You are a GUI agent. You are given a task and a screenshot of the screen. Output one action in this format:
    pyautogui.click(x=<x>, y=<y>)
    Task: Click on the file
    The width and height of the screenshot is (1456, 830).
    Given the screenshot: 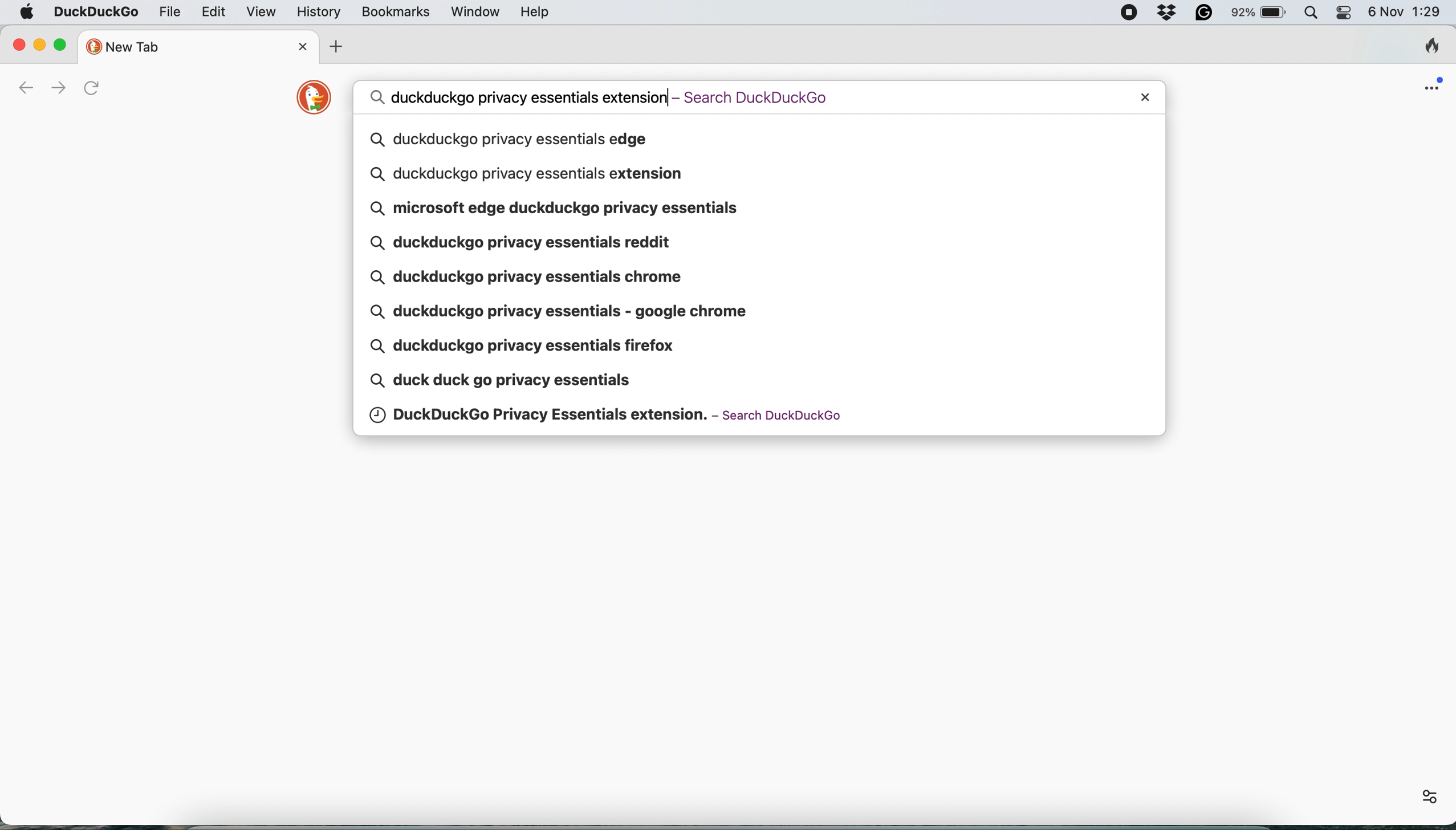 What is the action you would take?
    pyautogui.click(x=167, y=13)
    